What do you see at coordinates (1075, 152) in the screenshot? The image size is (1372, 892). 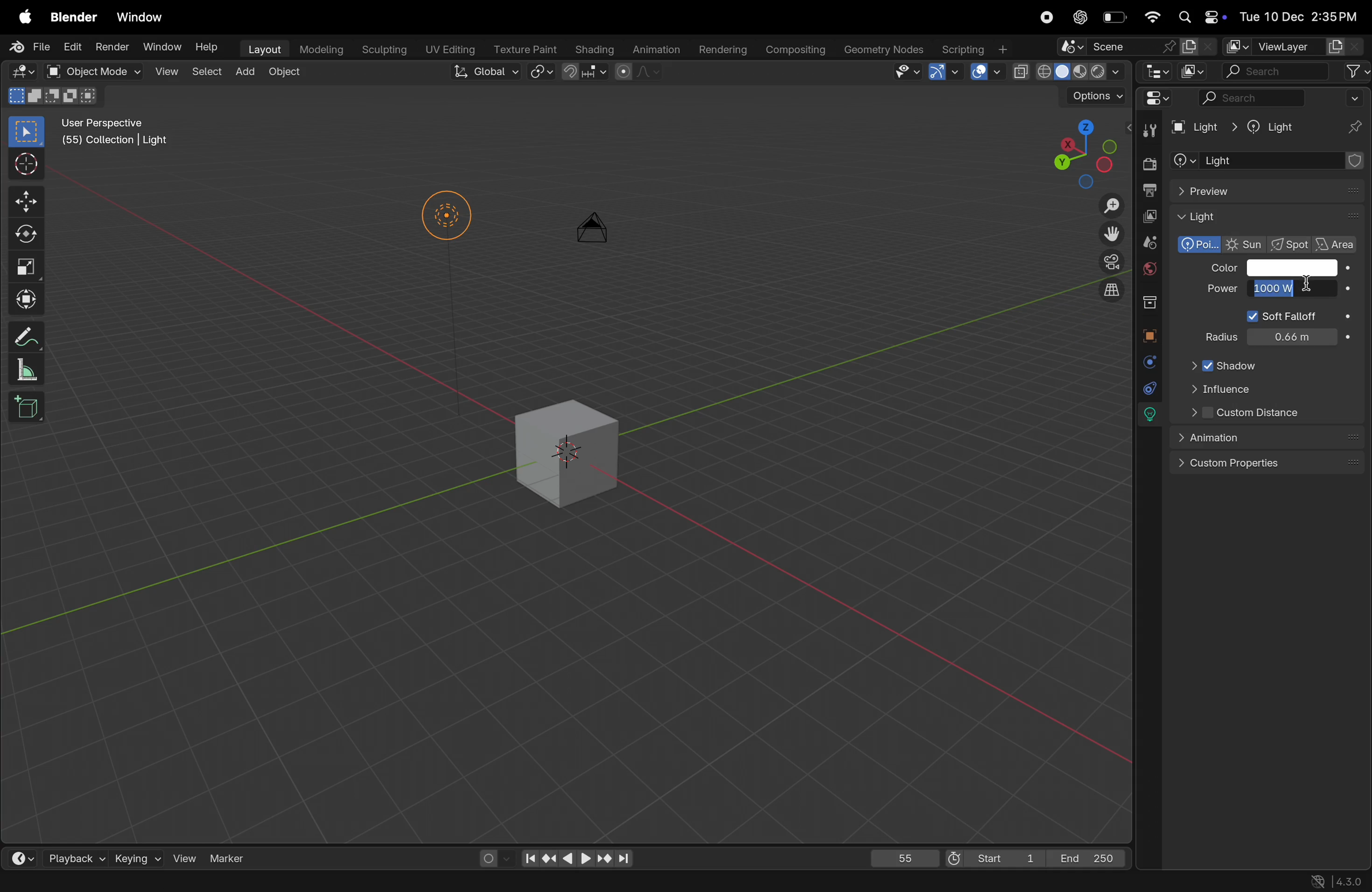 I see `viewpoint` at bounding box center [1075, 152].